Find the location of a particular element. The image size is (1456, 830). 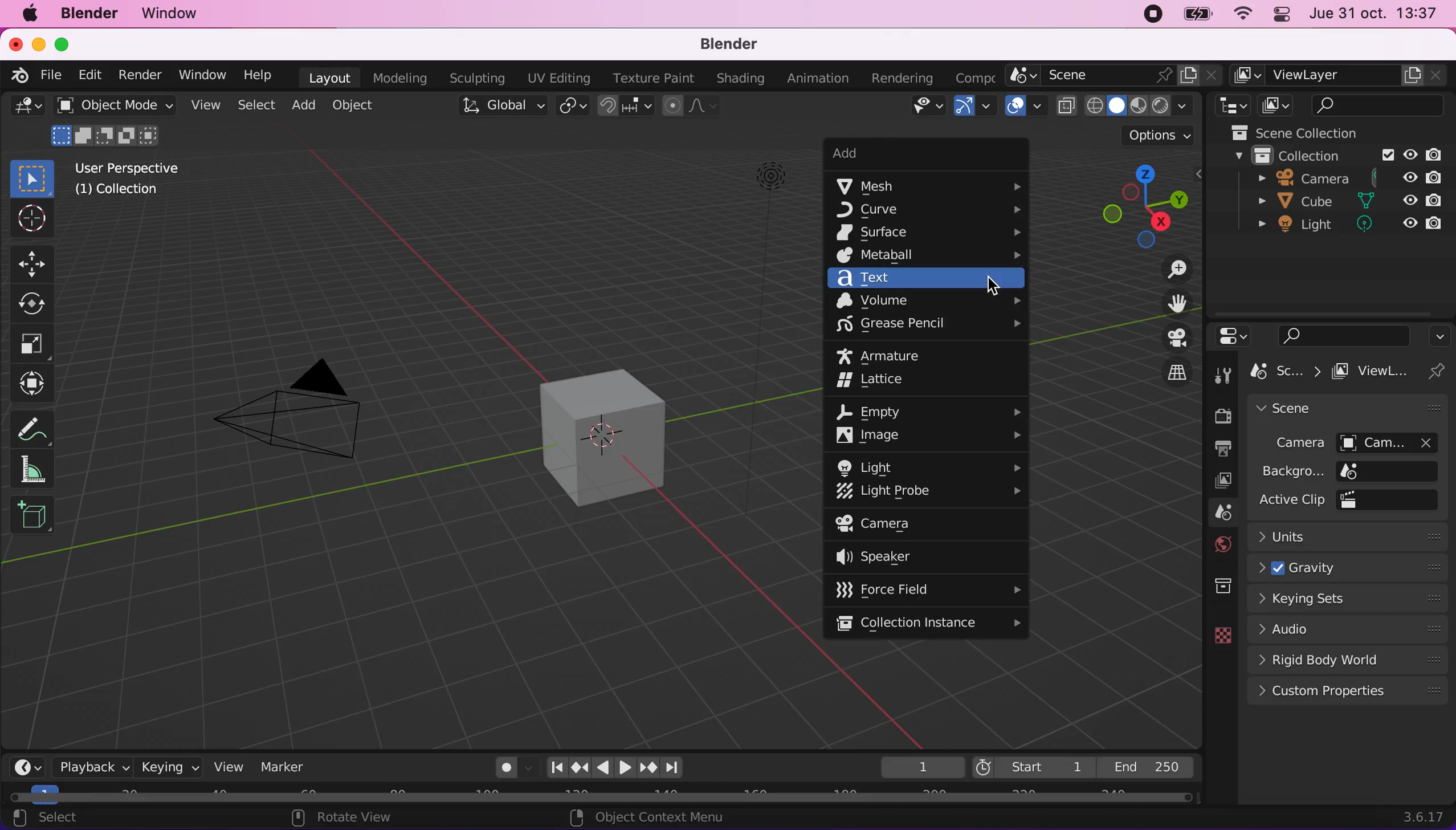

add is located at coordinates (908, 154).